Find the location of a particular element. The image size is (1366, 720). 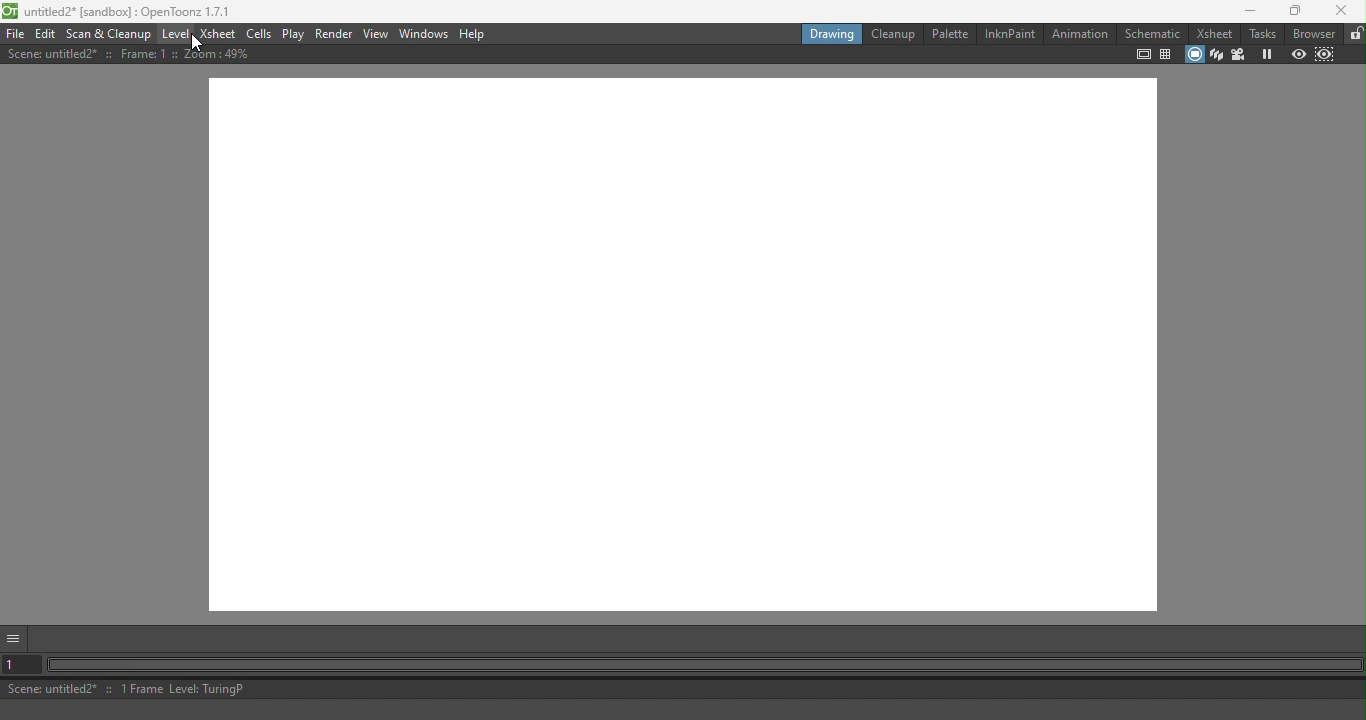

Tasks is located at coordinates (1263, 33).